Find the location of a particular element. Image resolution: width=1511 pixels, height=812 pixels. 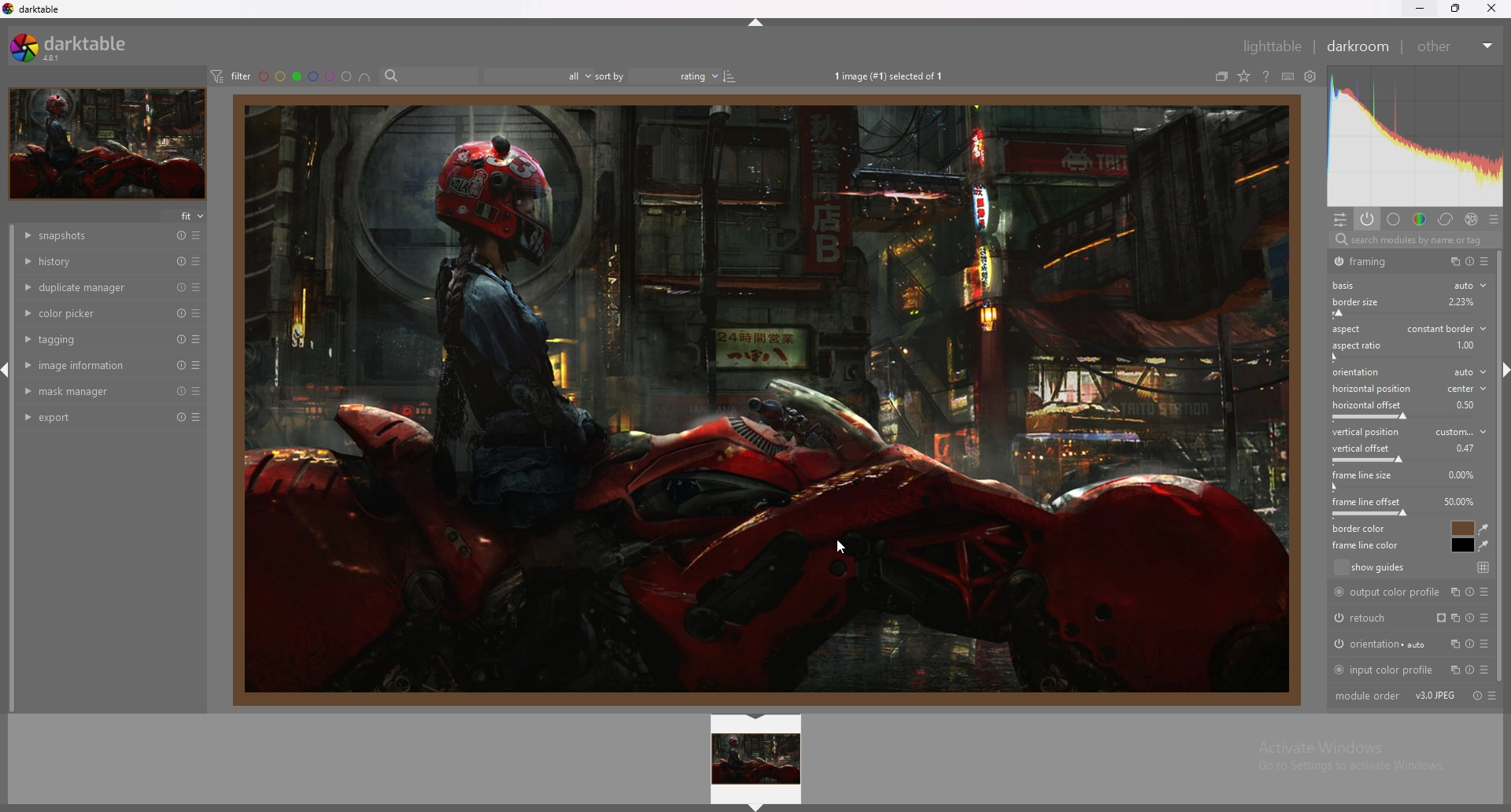

frame line color is located at coordinates (1462, 545).